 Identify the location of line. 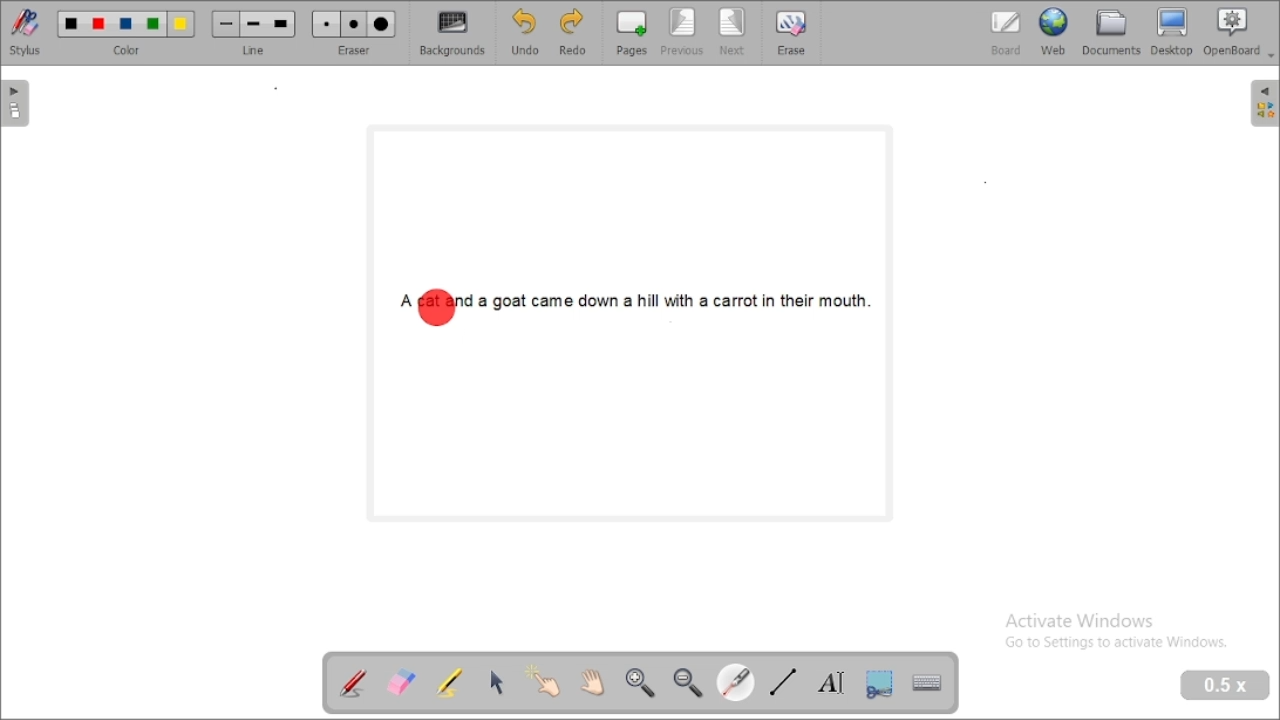
(253, 34).